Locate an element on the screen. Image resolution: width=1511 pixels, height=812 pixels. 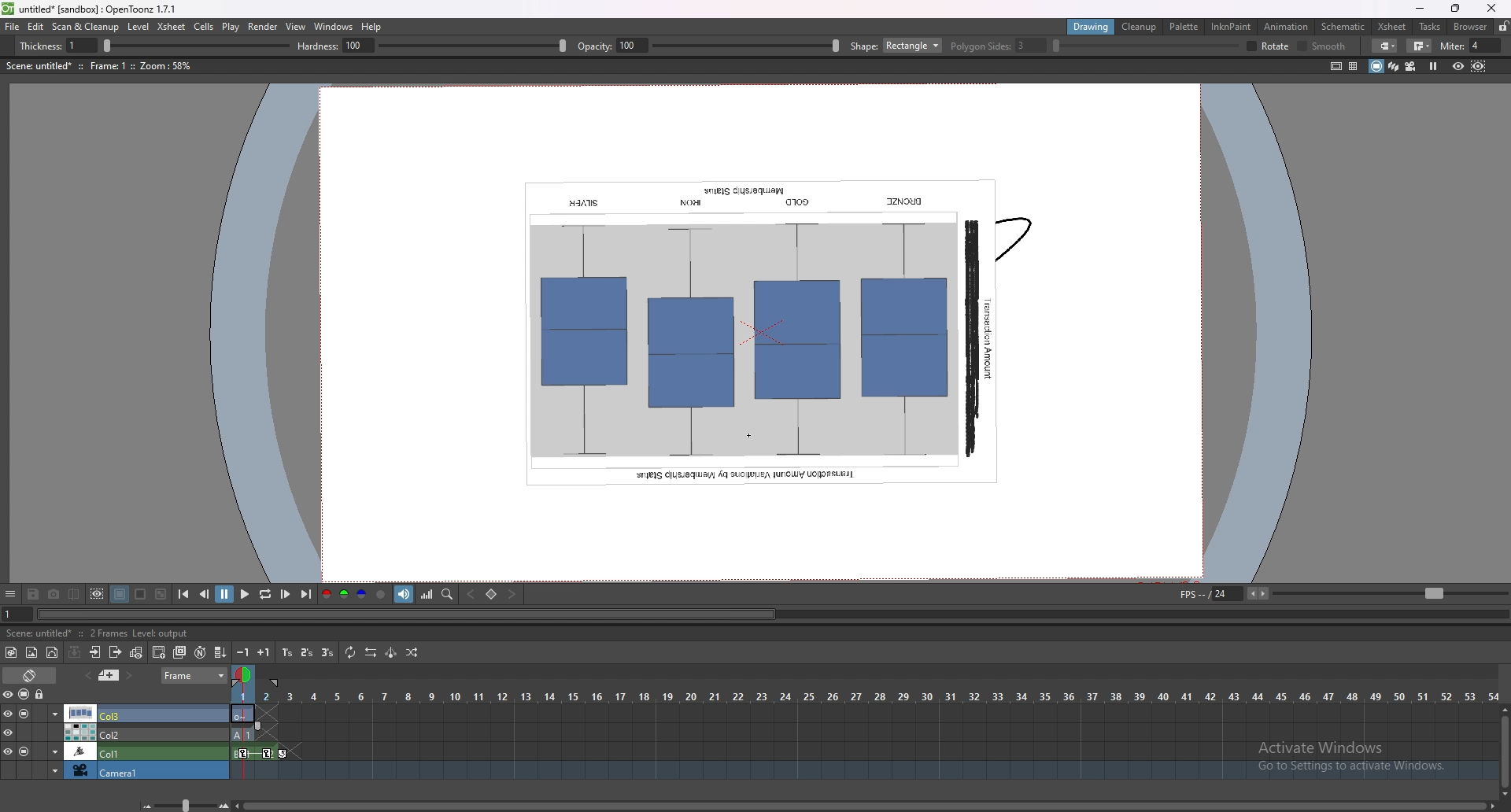
add memo is located at coordinates (109, 674).